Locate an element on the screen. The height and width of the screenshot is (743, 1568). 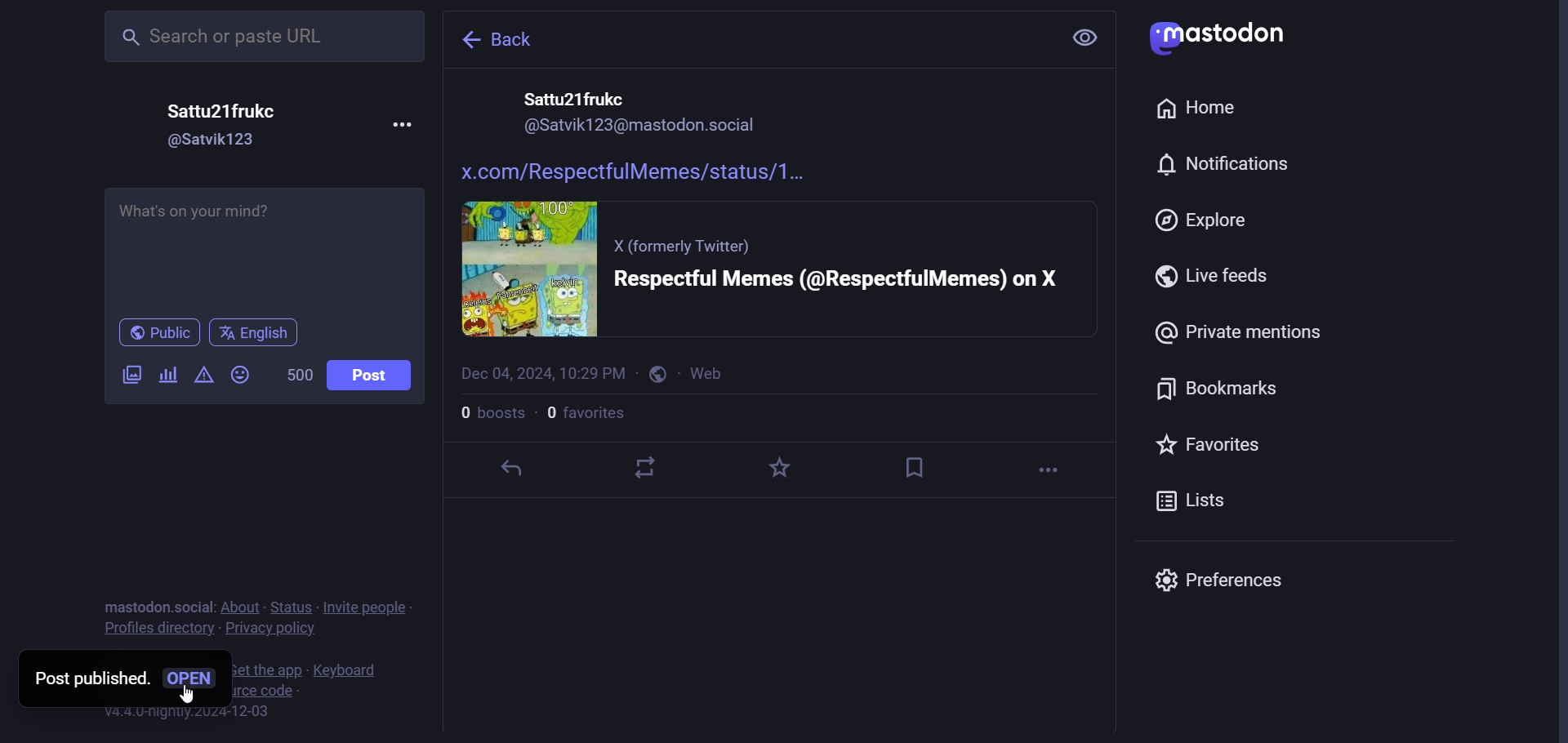
boost is located at coordinates (642, 468).